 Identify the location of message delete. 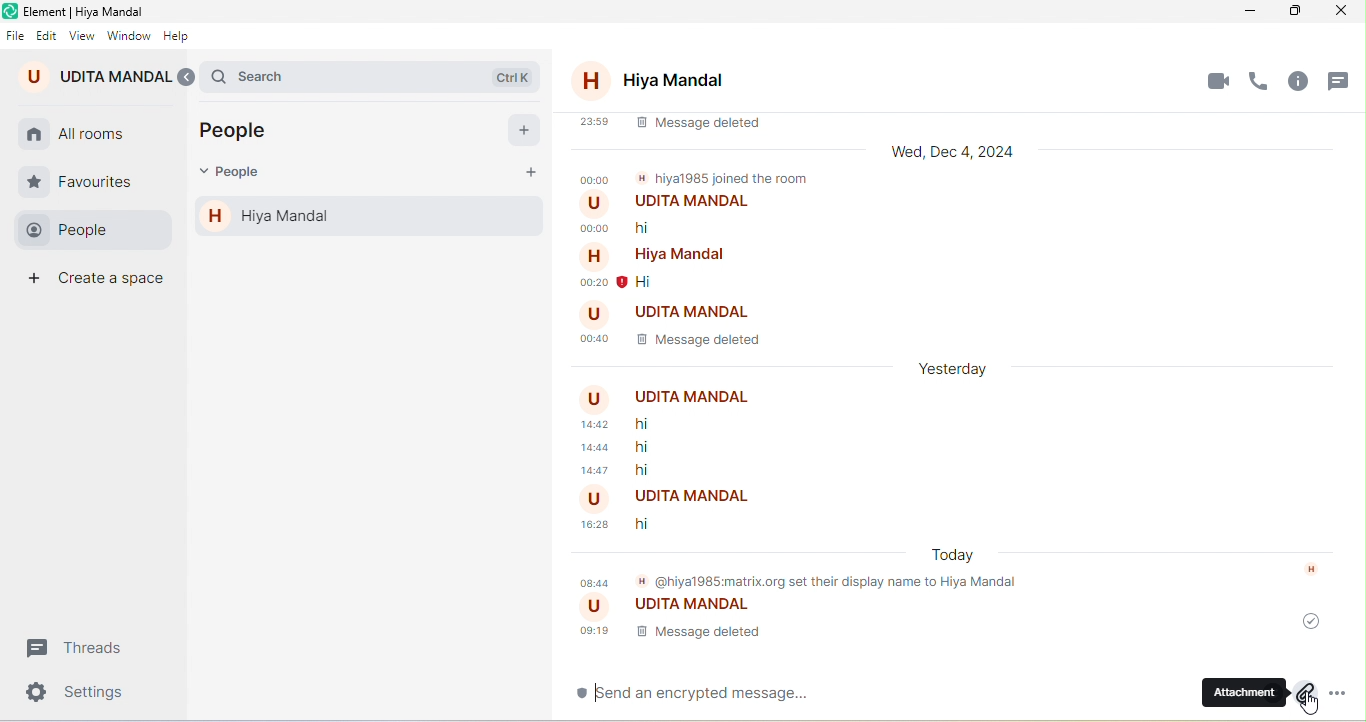
(673, 129).